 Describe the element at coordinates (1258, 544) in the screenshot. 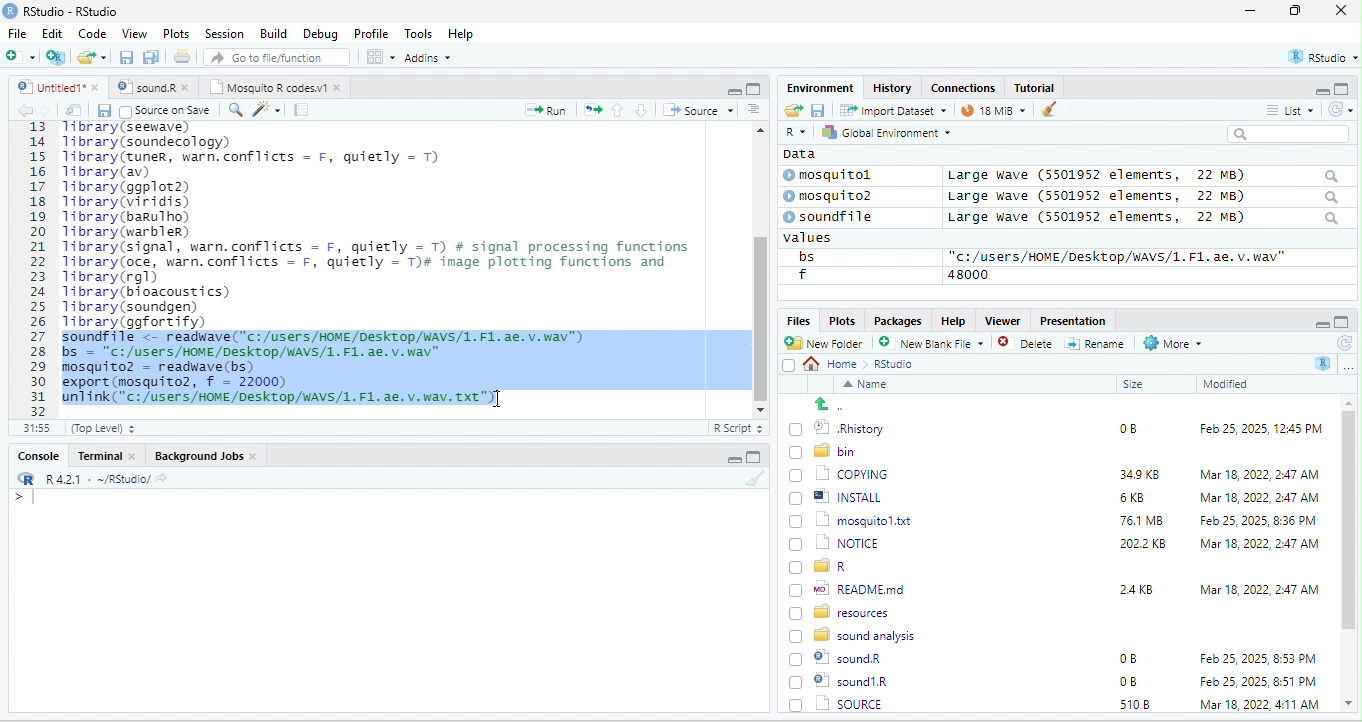

I see `‘Mar 18, 2022, 2:47 AM` at that location.